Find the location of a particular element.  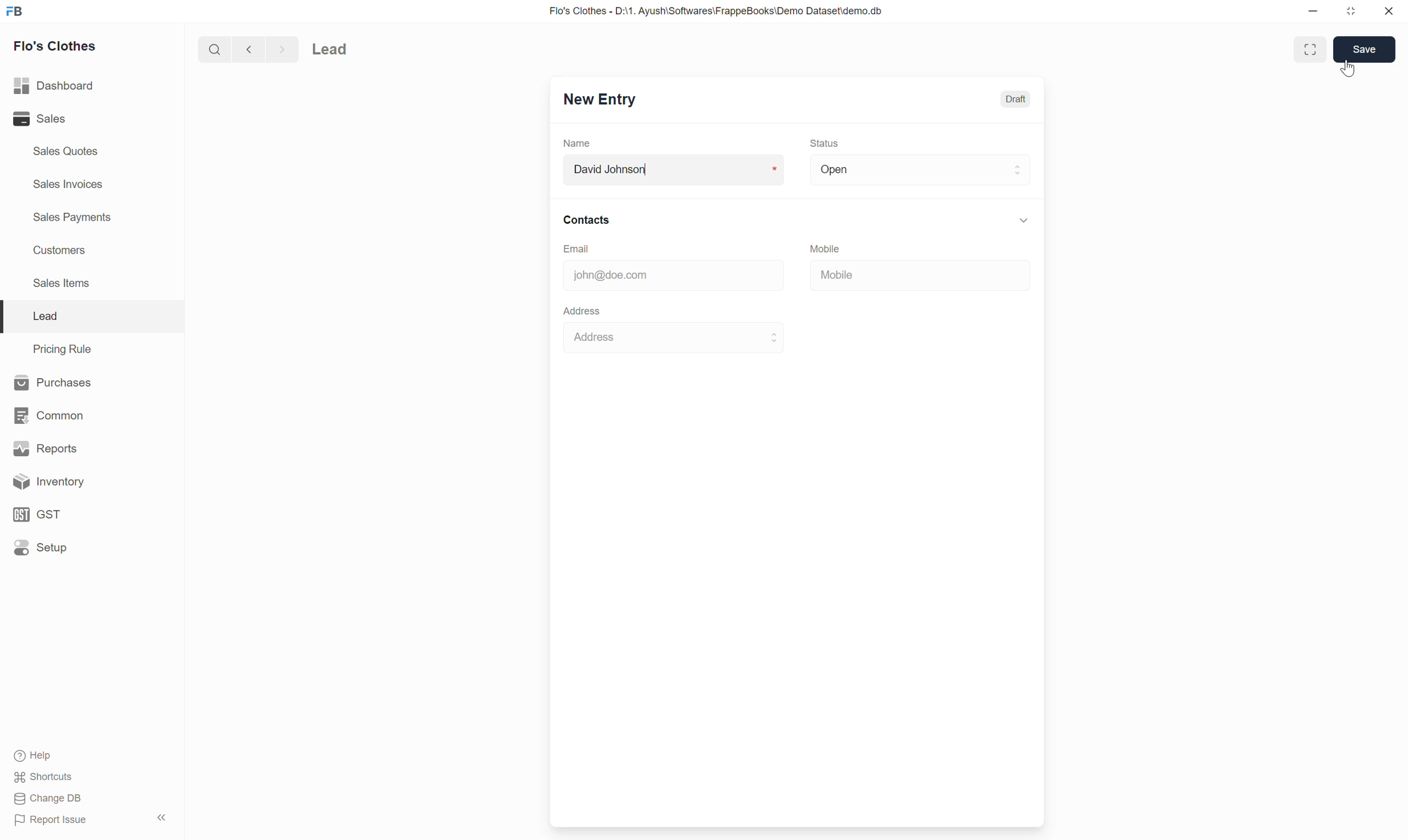

 Change DB is located at coordinates (46, 800).